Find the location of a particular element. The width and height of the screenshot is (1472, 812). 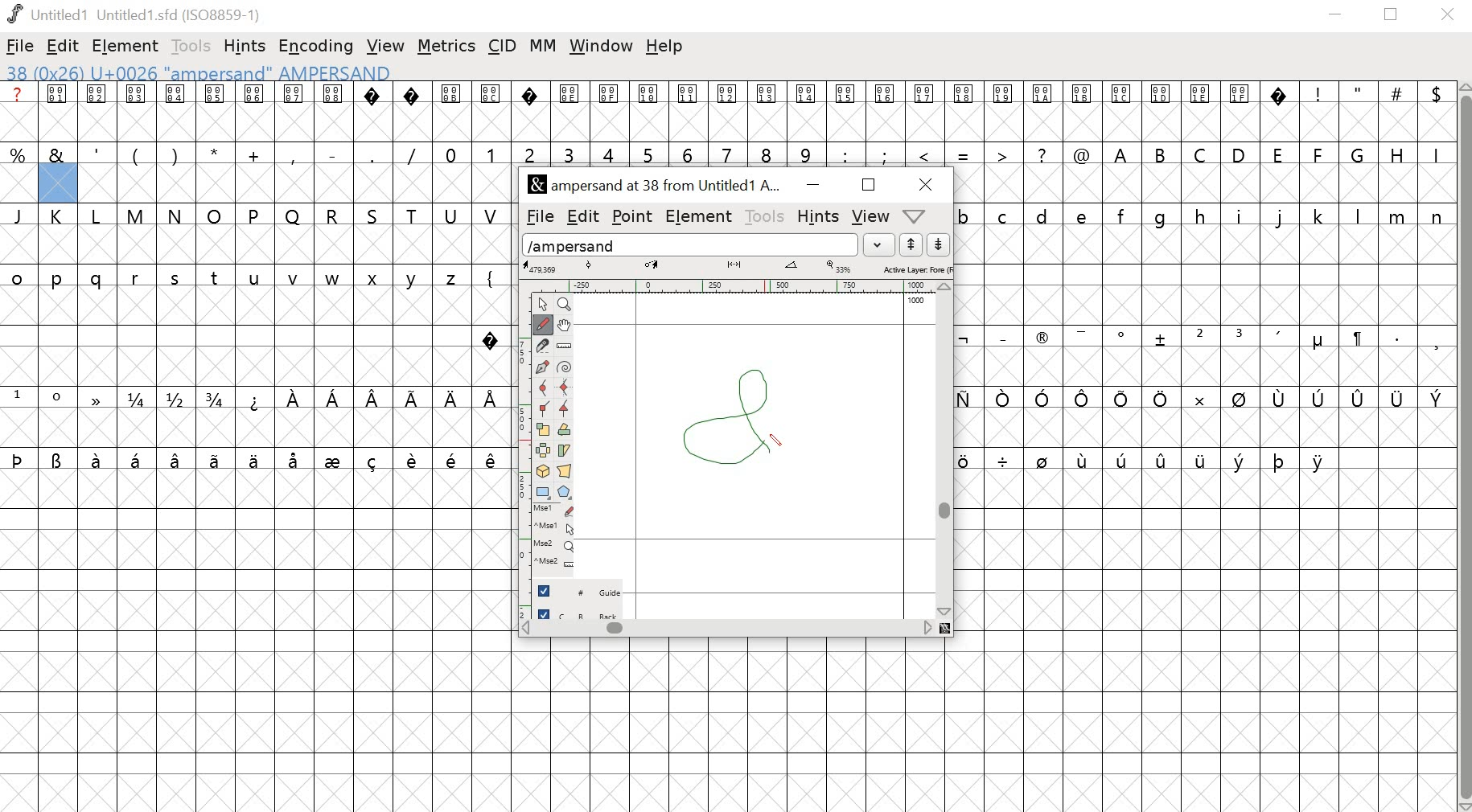

add a curve point always either vertically or horizontally is located at coordinates (566, 388).